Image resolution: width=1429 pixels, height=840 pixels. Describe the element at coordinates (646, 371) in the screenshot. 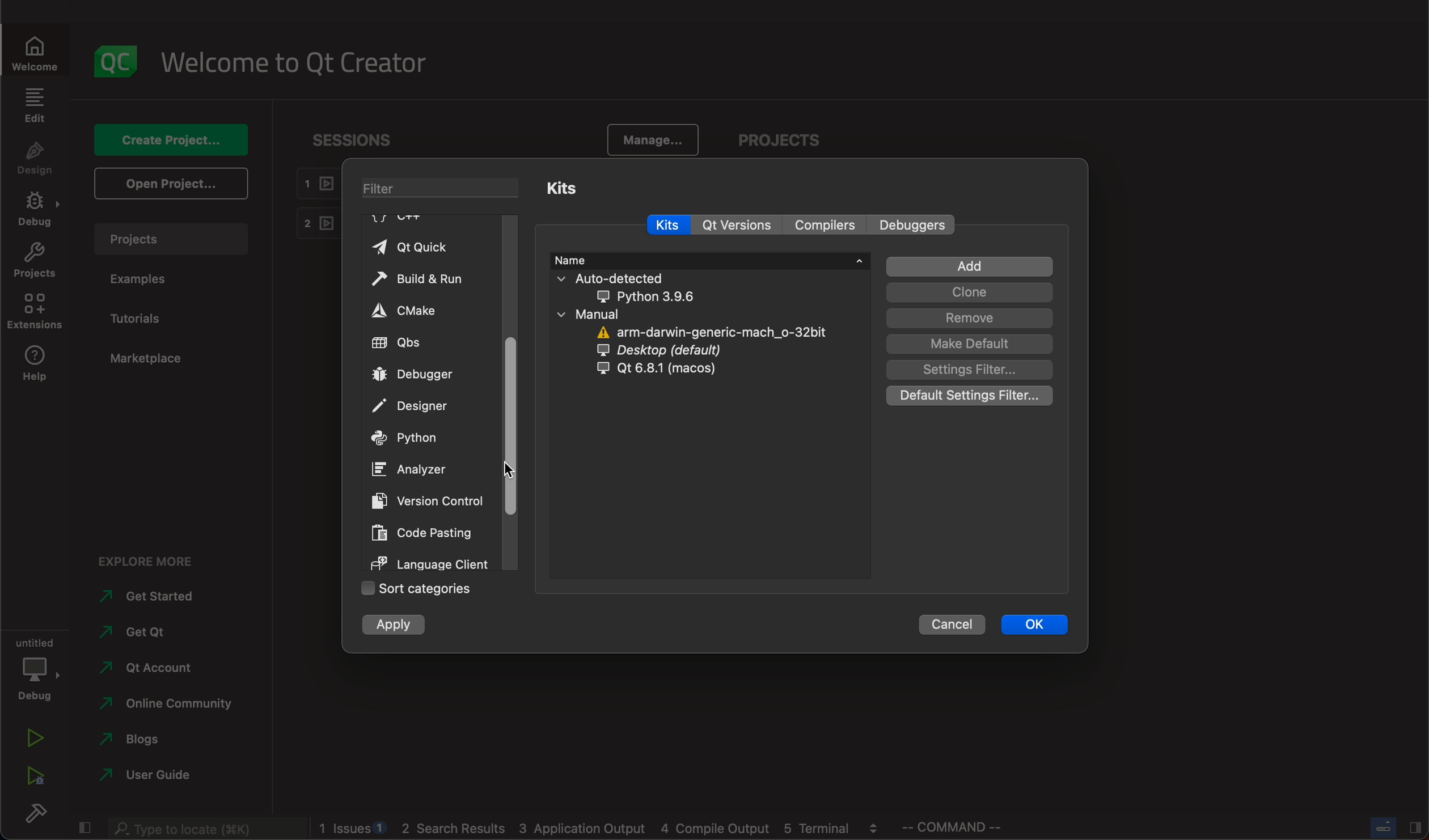

I see `qt ` at that location.